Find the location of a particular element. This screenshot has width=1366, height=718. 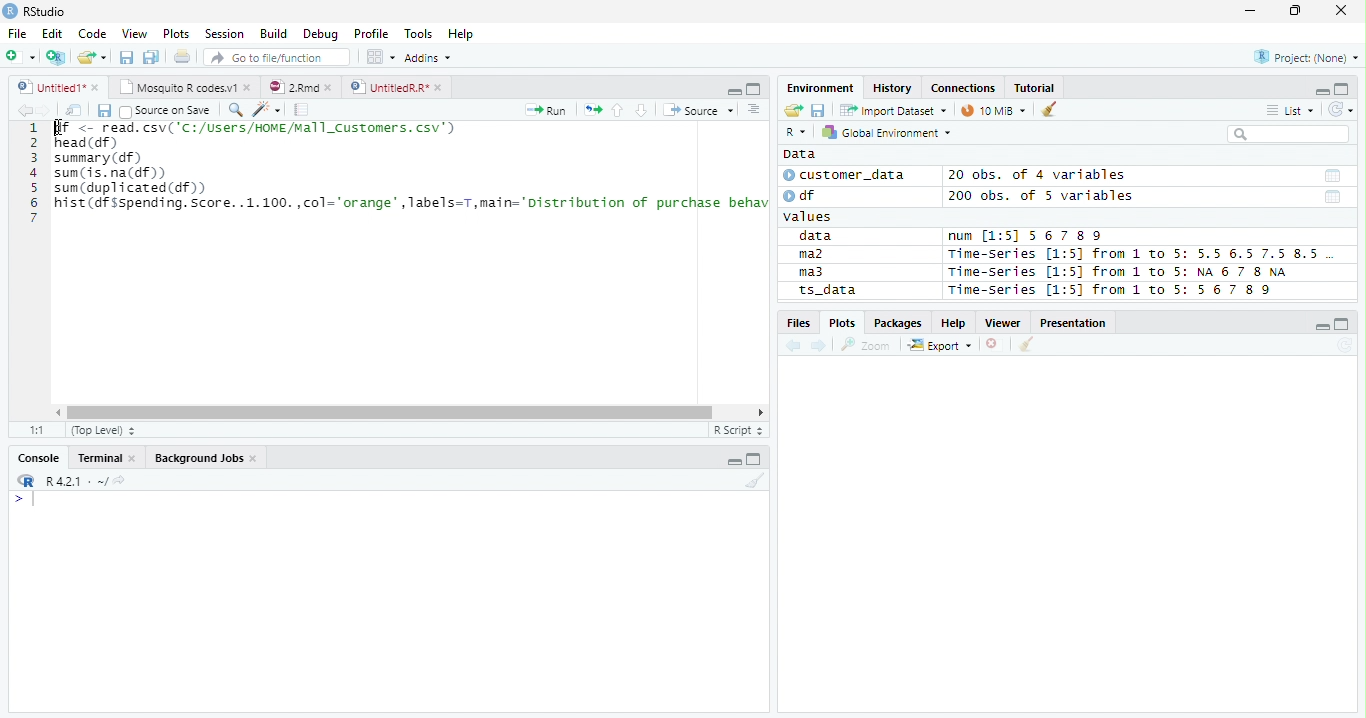

data is located at coordinates (819, 237).